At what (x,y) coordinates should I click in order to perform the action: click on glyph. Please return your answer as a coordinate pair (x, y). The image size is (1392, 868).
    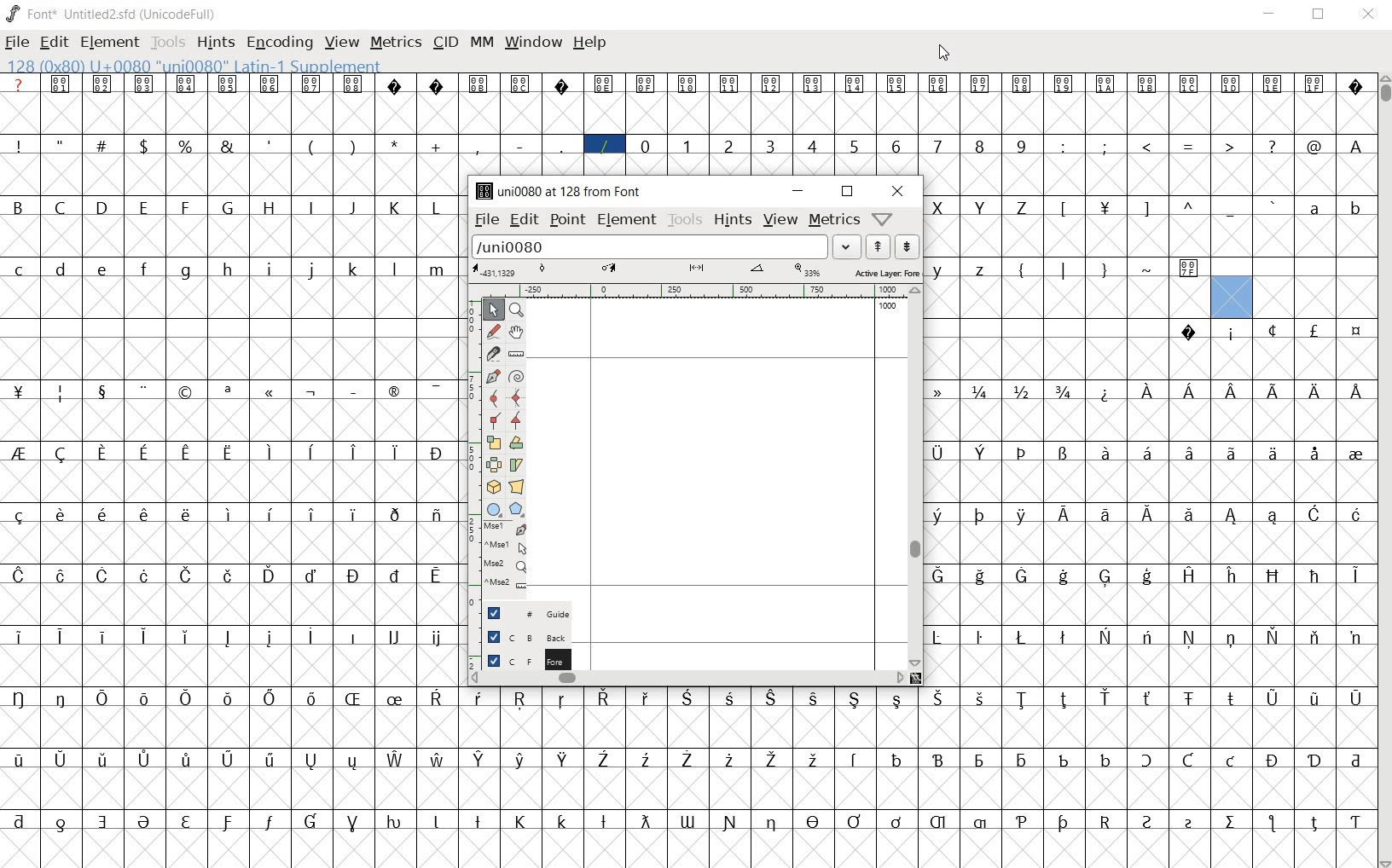
    Looking at the image, I should click on (103, 822).